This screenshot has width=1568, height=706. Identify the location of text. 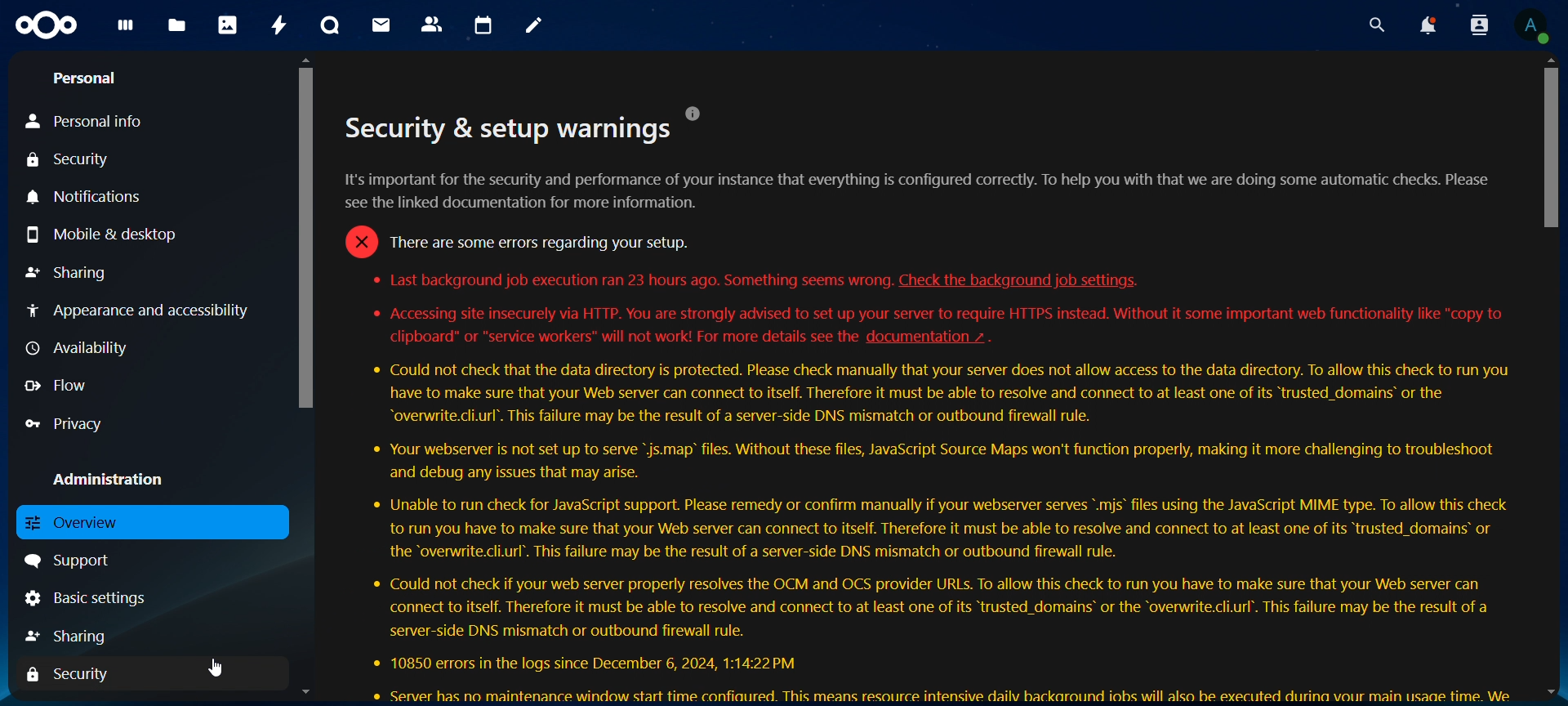
(930, 404).